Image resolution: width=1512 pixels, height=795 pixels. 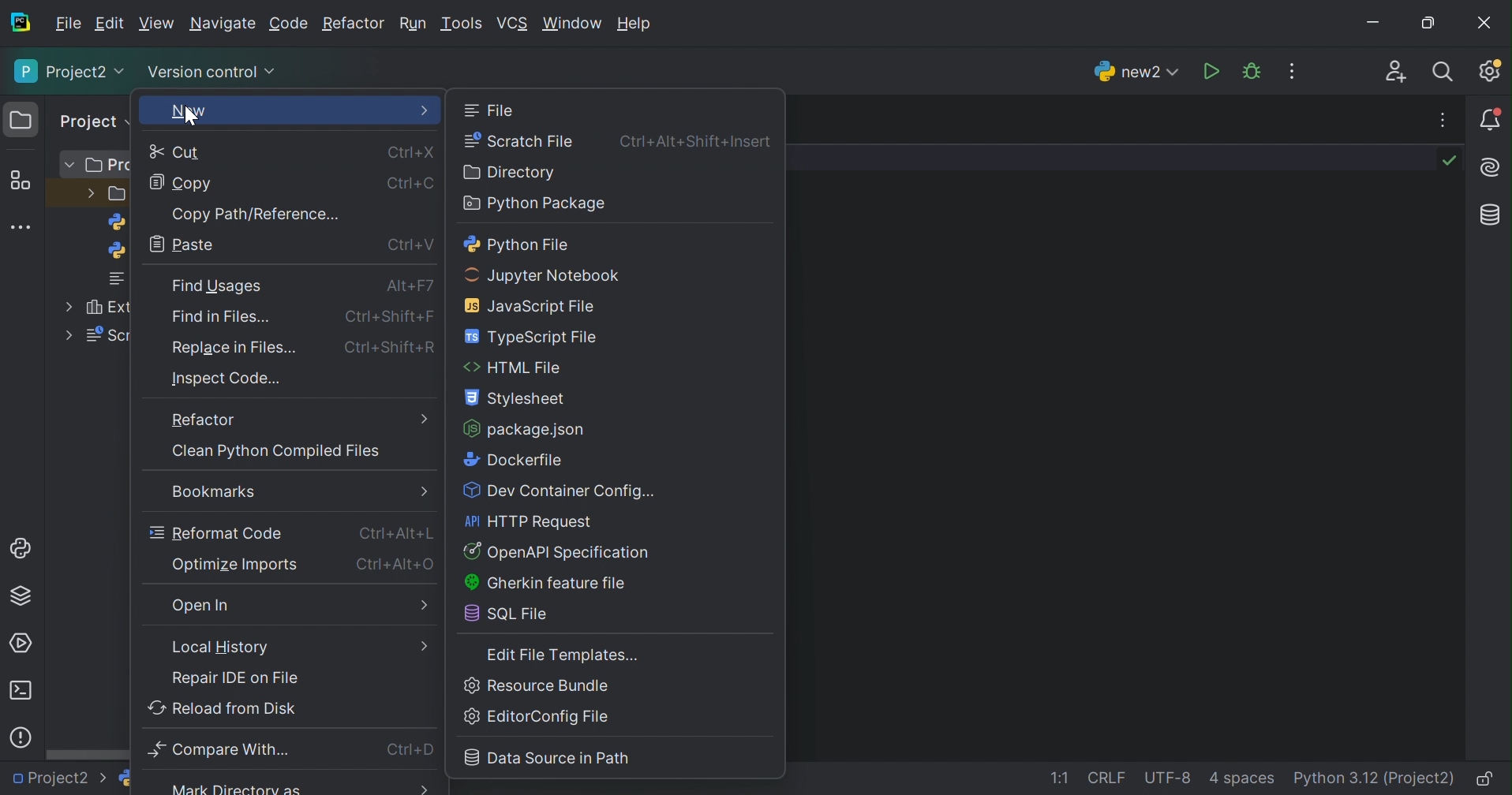 What do you see at coordinates (1429, 21) in the screenshot?
I see `Restore down` at bounding box center [1429, 21].